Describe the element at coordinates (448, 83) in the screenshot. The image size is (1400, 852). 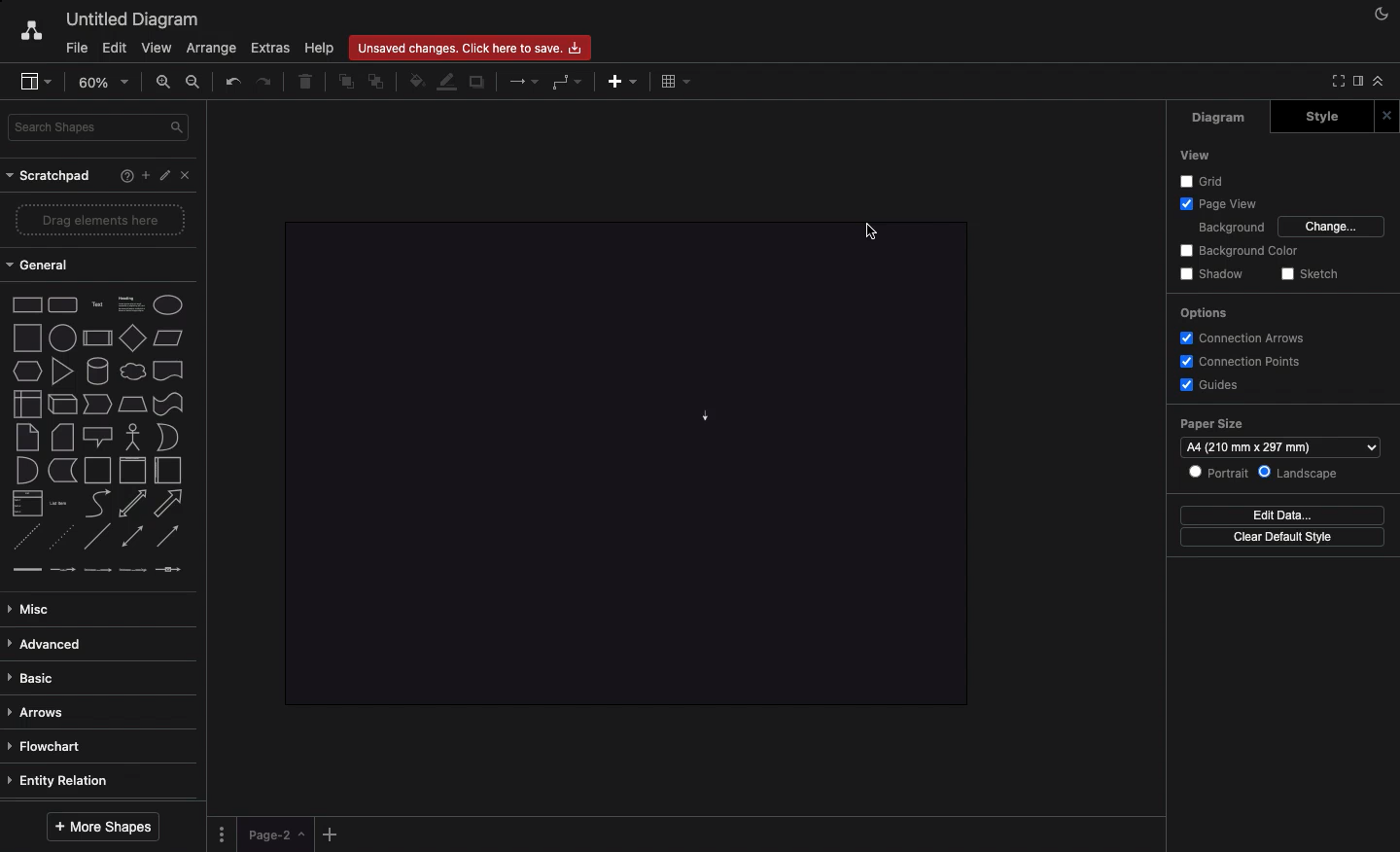
I see `Line fill` at that location.